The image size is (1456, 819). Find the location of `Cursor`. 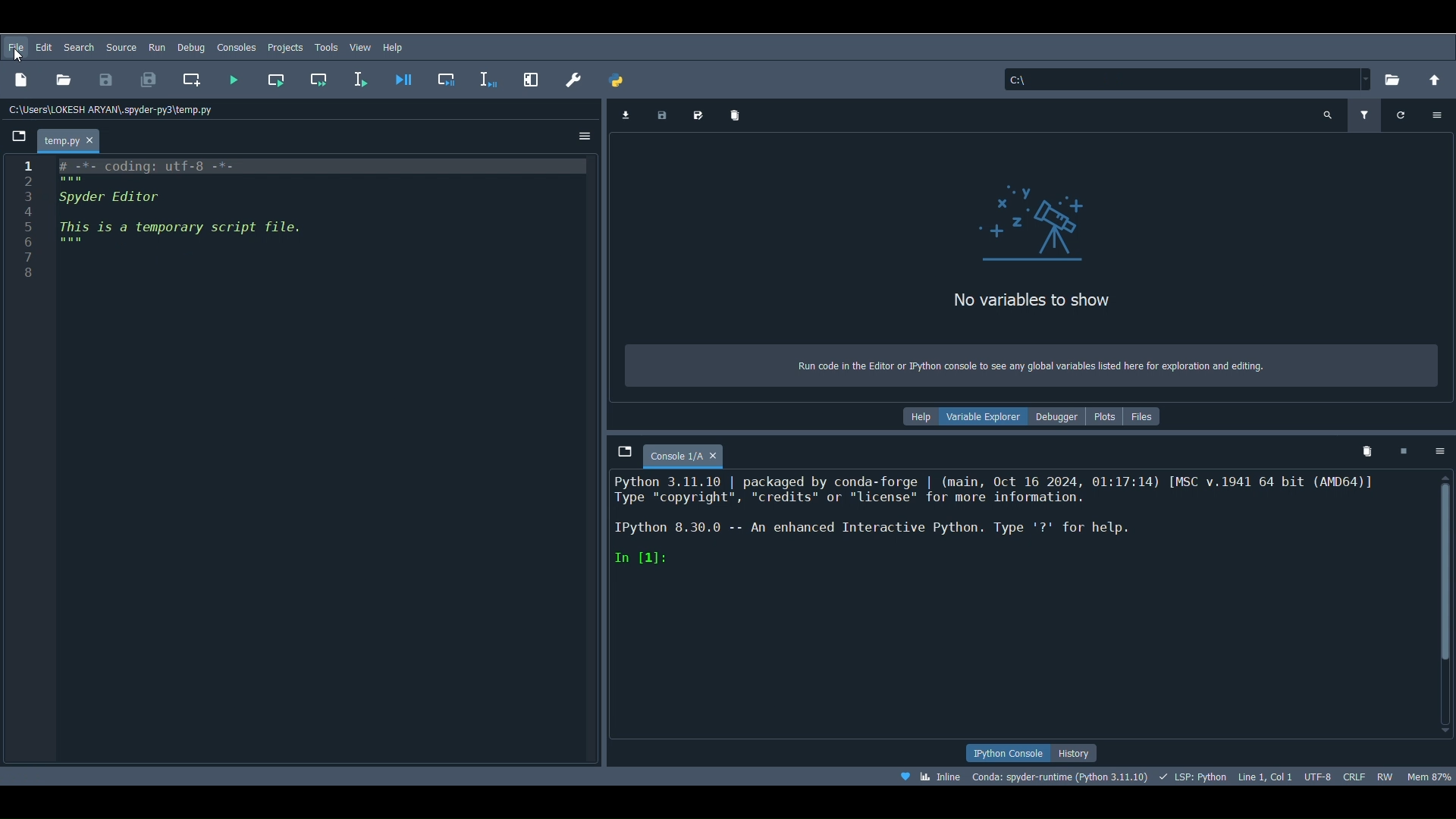

Cursor is located at coordinates (19, 56).